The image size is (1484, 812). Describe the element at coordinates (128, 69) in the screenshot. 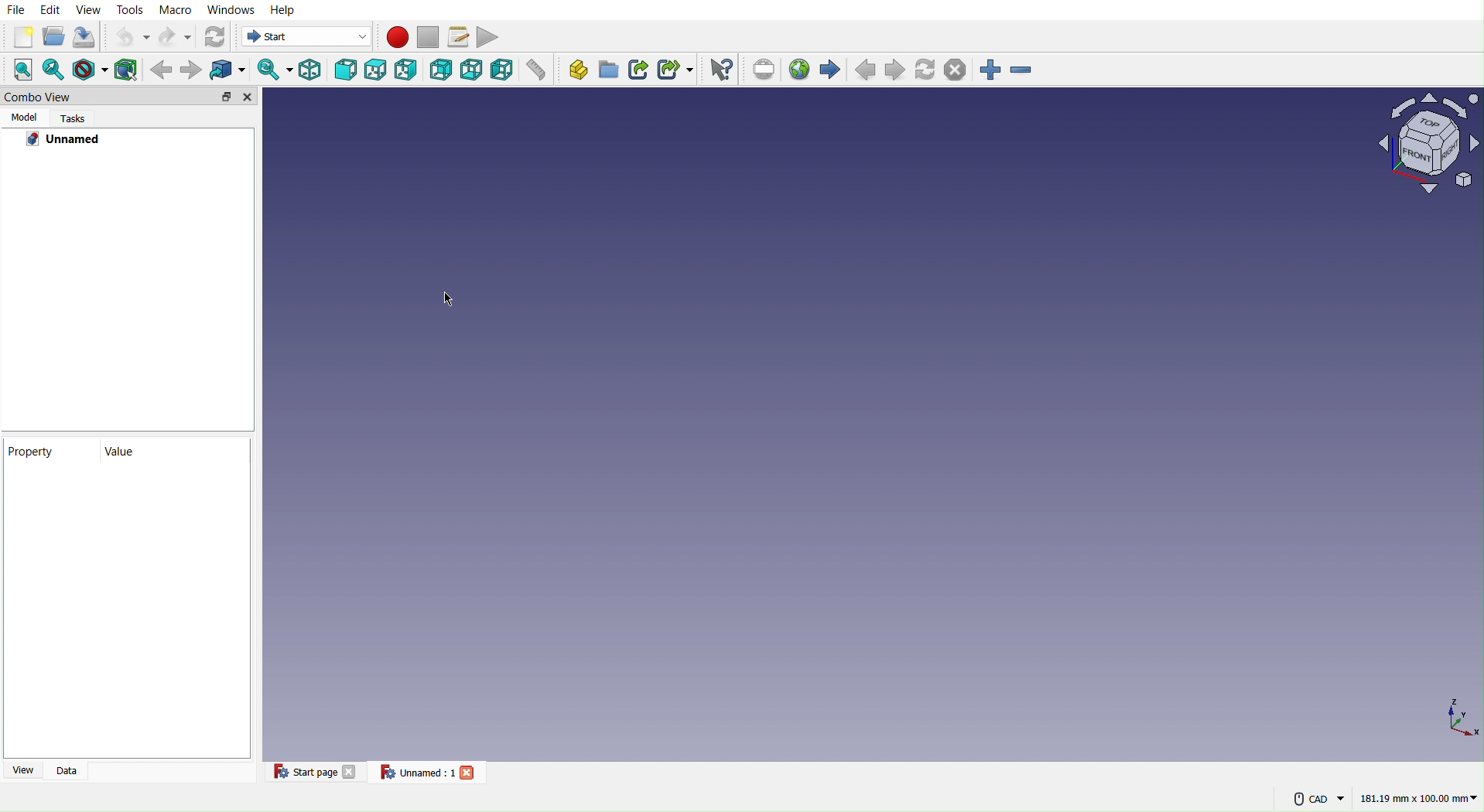

I see `Show selection bounding box` at that location.